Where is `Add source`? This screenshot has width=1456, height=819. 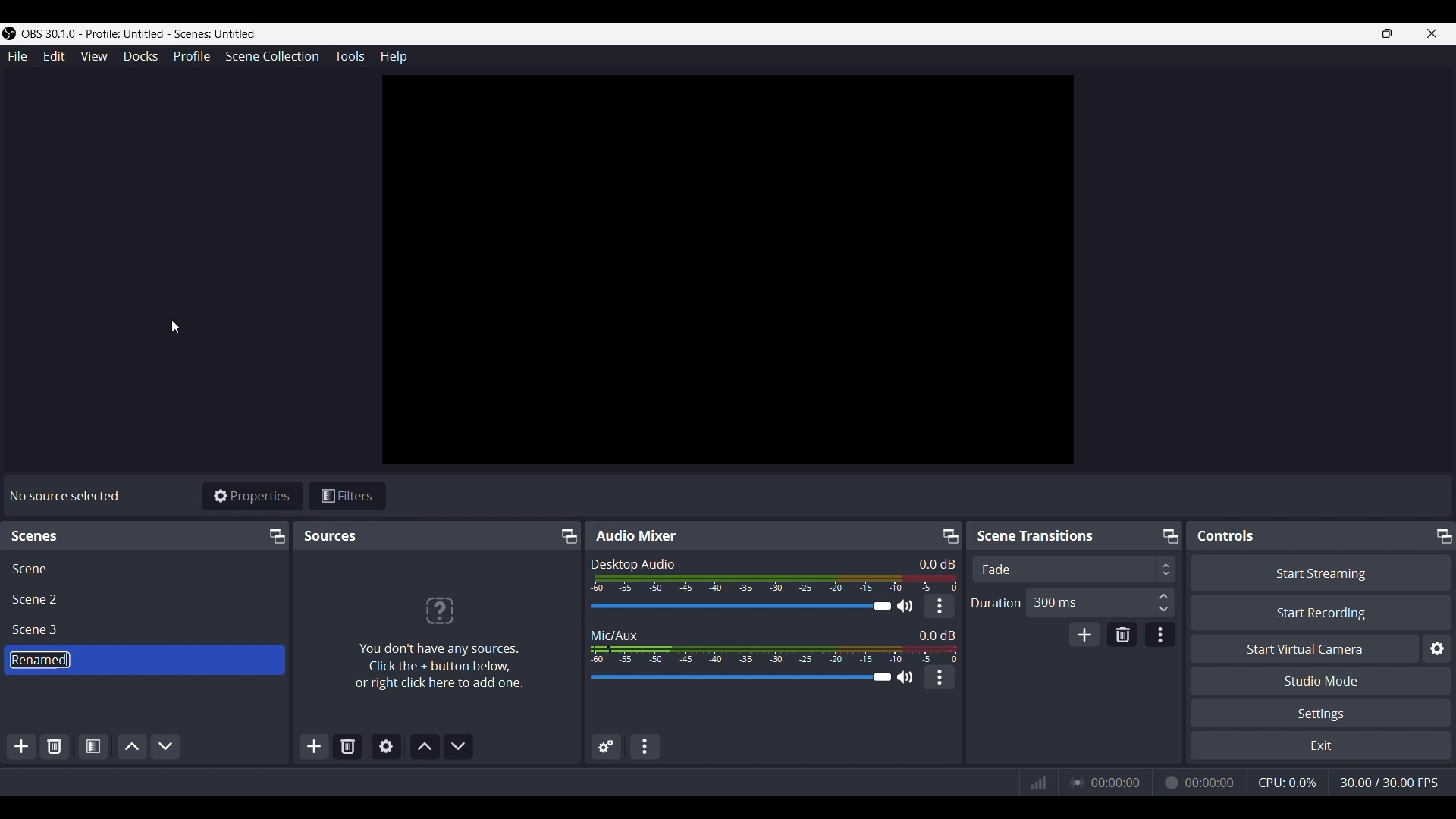
Add source is located at coordinates (315, 745).